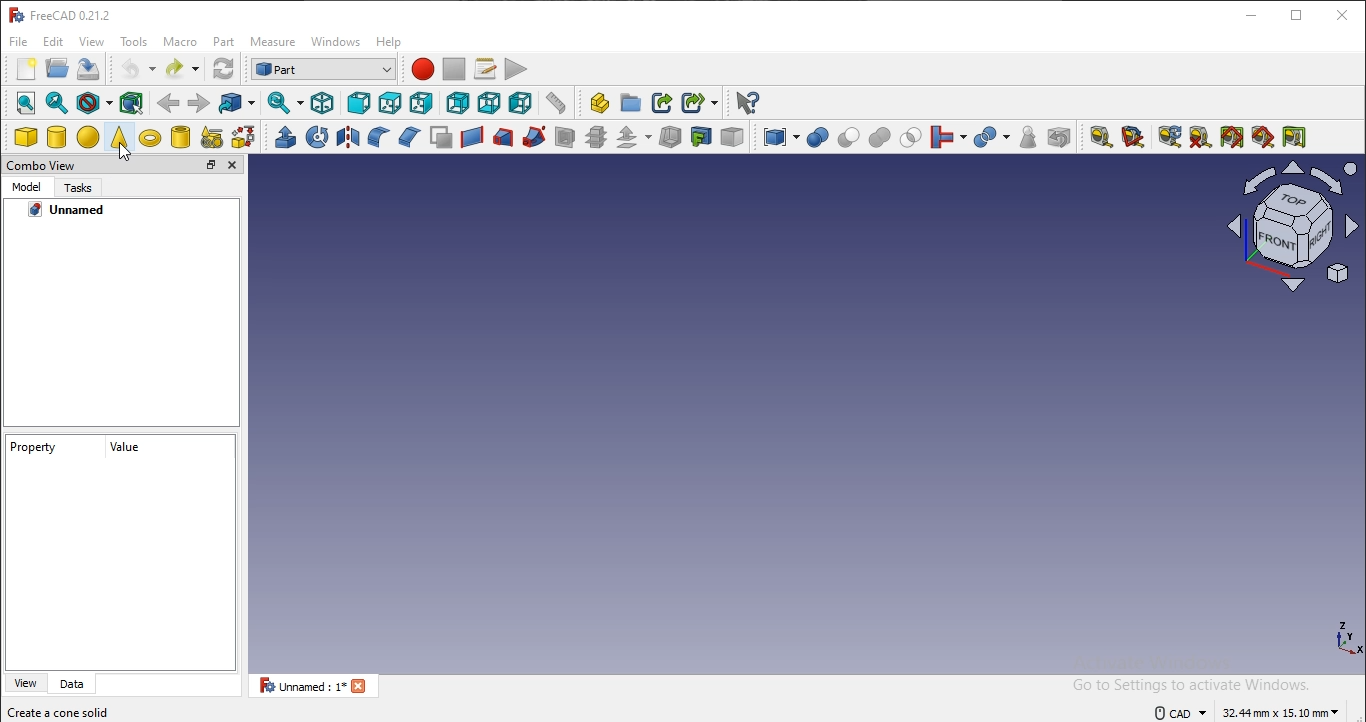 This screenshot has height=722, width=1366. What do you see at coordinates (54, 41) in the screenshot?
I see `edit` at bounding box center [54, 41].